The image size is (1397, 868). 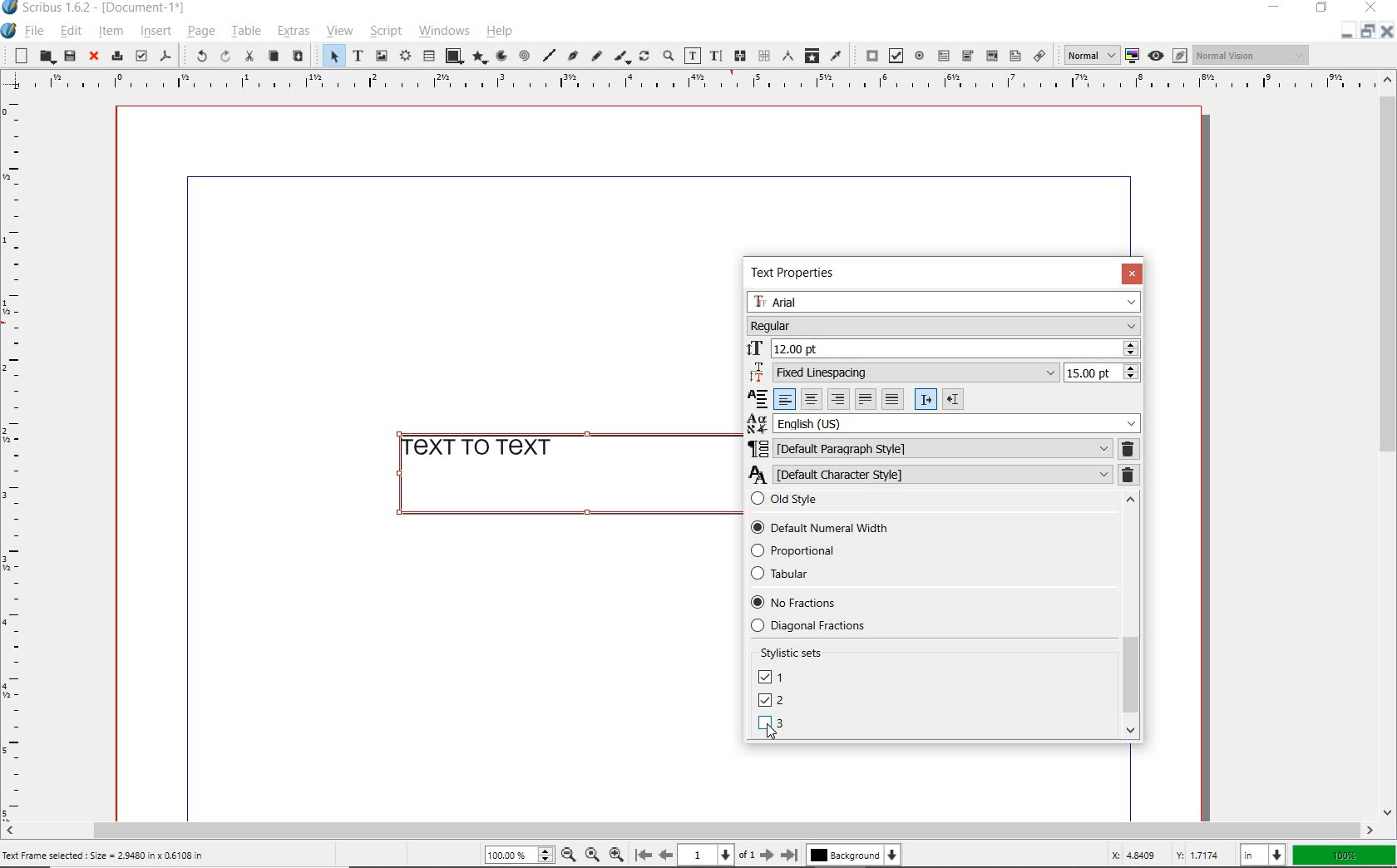 What do you see at coordinates (940, 424) in the screenshot?
I see `English (US)` at bounding box center [940, 424].